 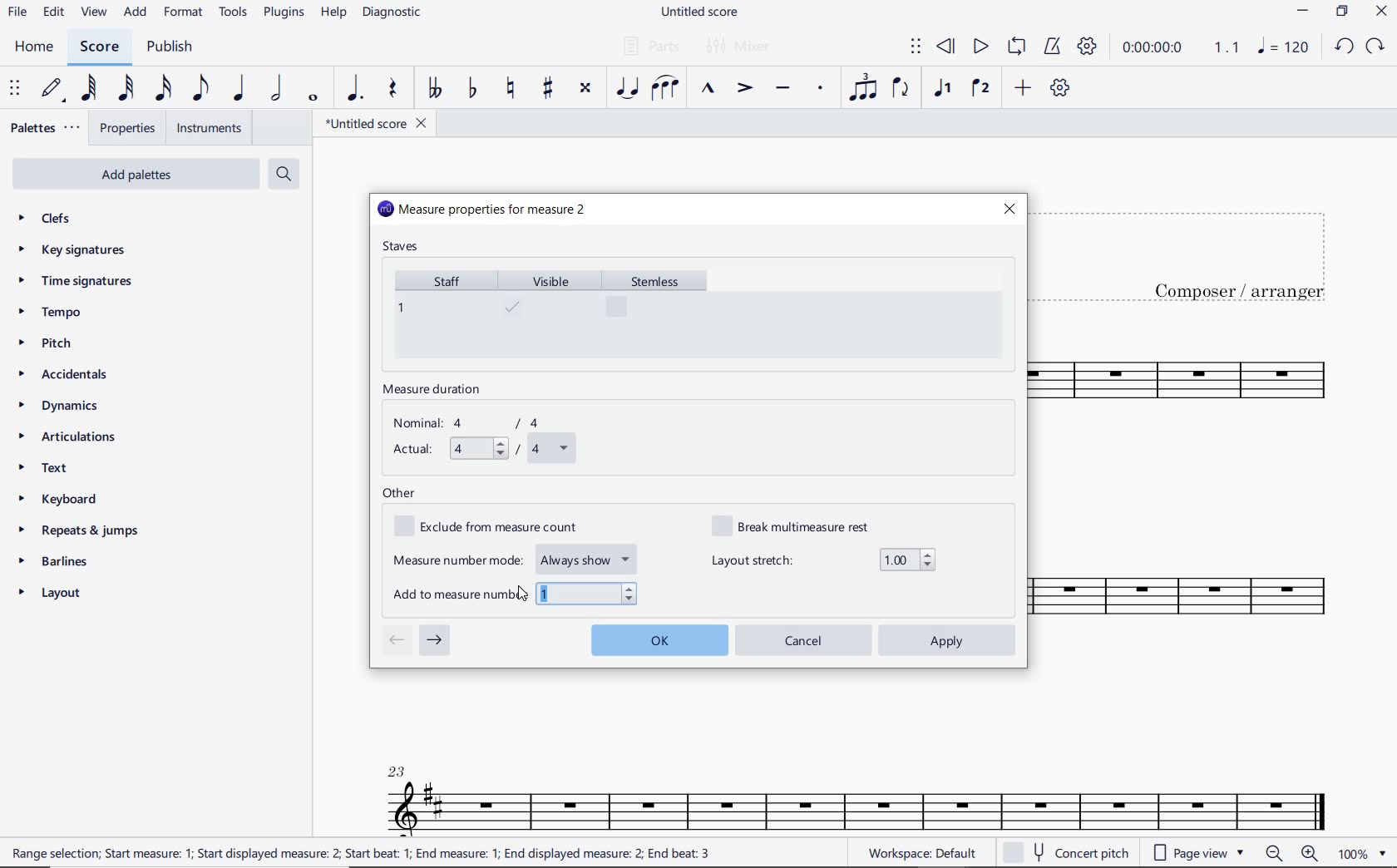 I want to click on ok, so click(x=659, y=638).